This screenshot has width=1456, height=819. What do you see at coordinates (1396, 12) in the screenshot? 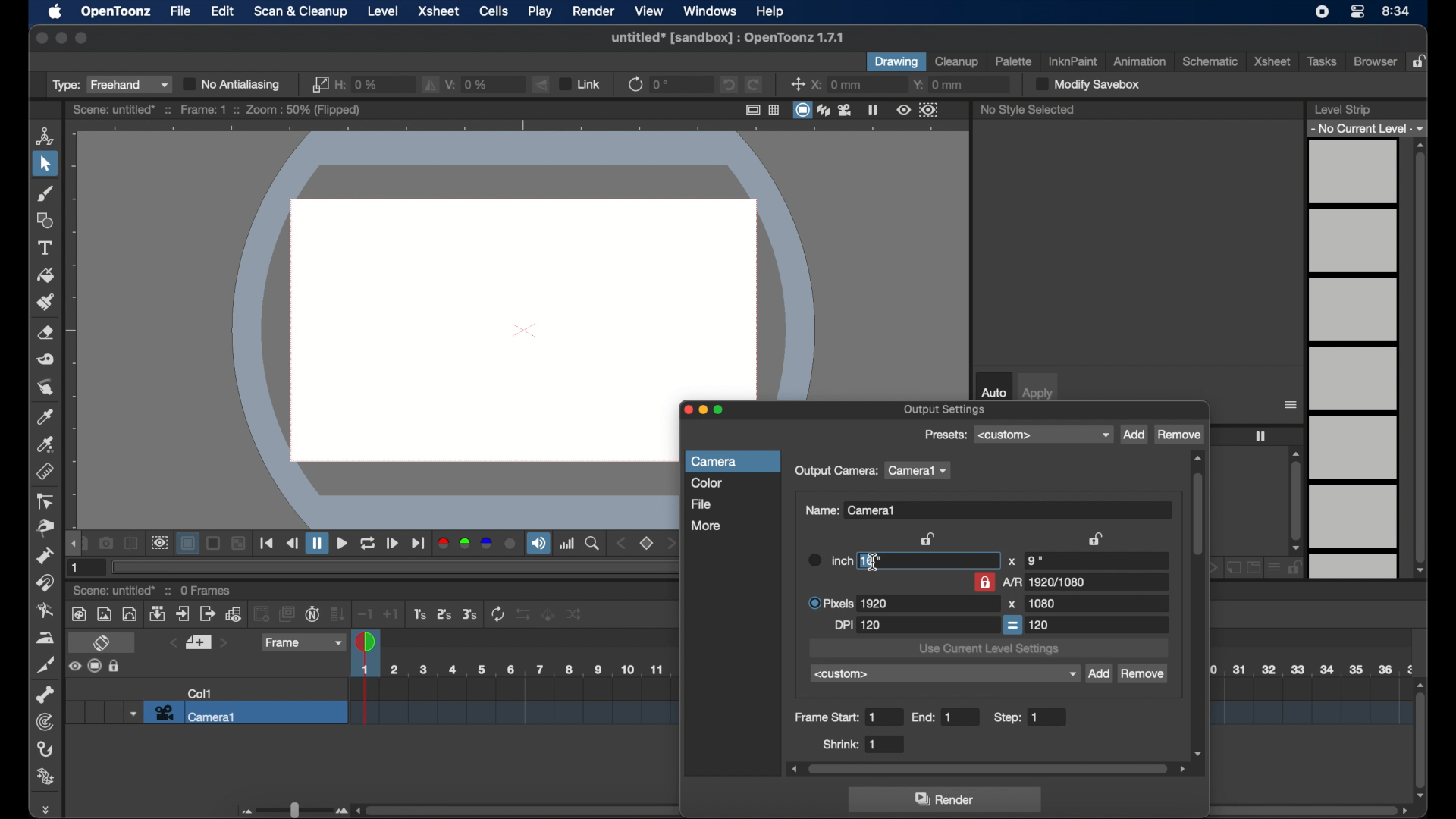
I see `time` at bounding box center [1396, 12].